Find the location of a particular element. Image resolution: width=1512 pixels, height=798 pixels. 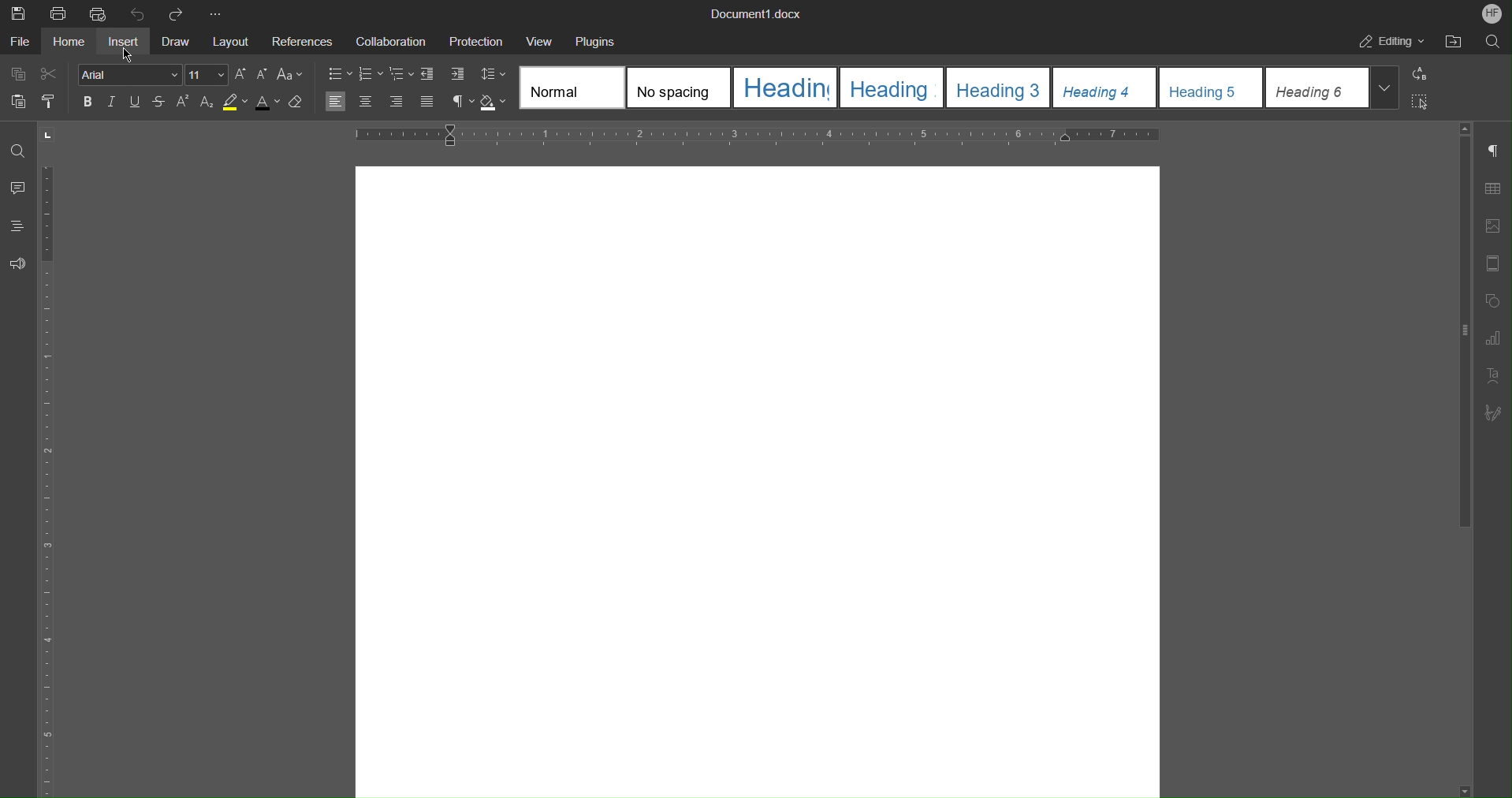

Horizontal Ruler is located at coordinates (54, 480).